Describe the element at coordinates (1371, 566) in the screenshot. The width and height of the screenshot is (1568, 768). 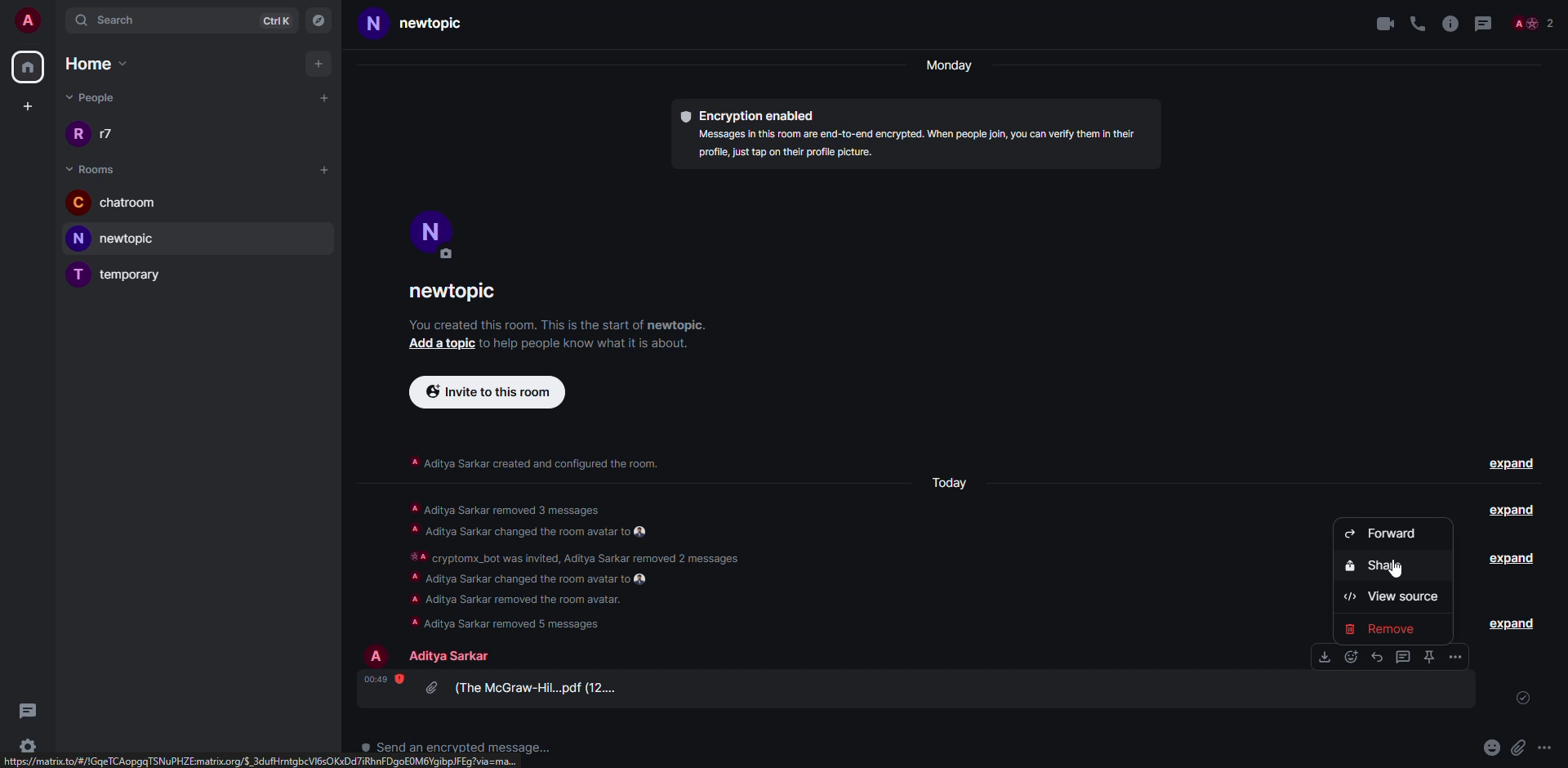
I see `share` at that location.